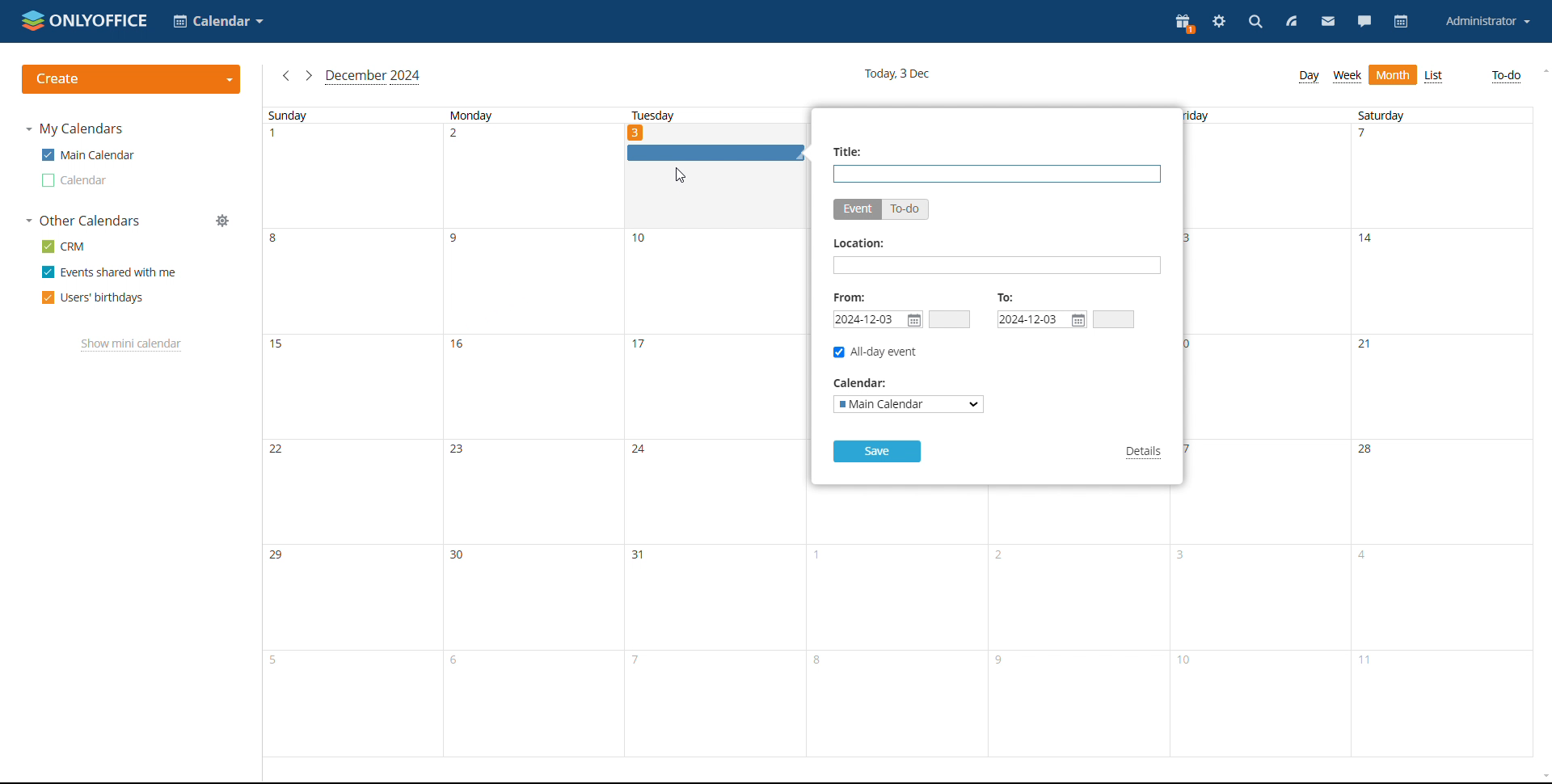  What do you see at coordinates (636, 133) in the screenshot?
I see `date` at bounding box center [636, 133].